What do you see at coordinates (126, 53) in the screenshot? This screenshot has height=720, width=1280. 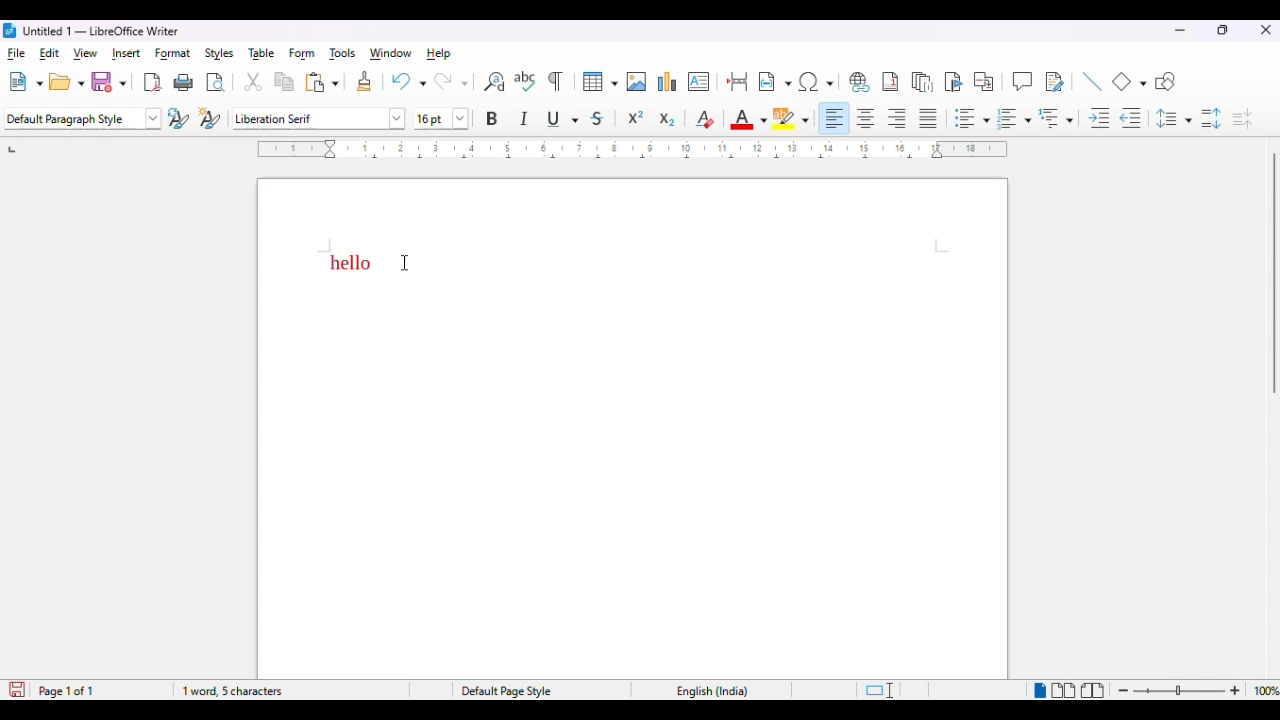 I see `insert` at bounding box center [126, 53].